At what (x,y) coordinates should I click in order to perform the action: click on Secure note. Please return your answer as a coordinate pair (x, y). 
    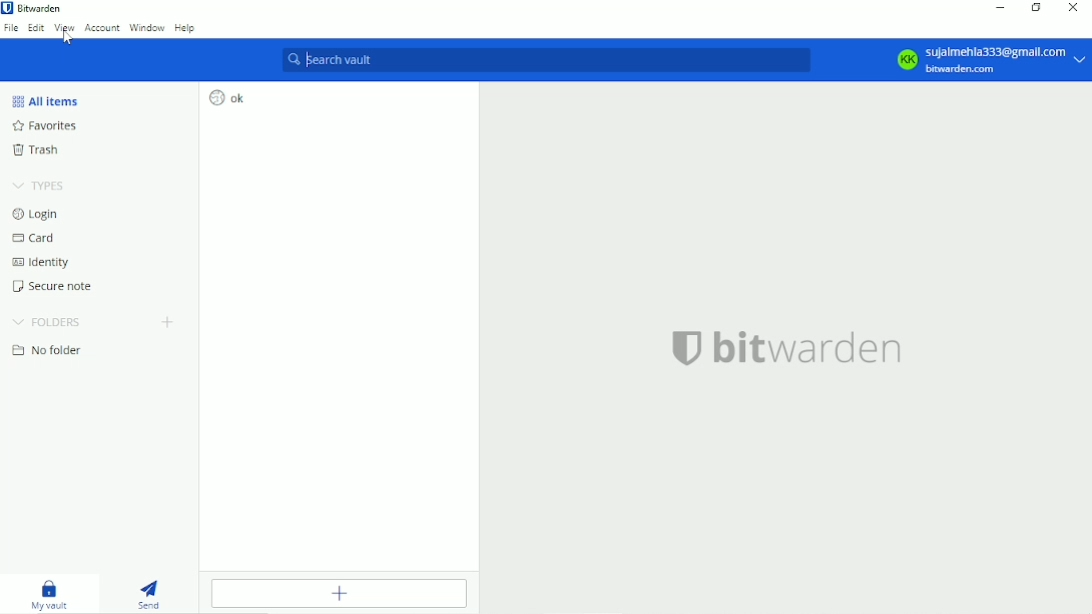
    Looking at the image, I should click on (55, 287).